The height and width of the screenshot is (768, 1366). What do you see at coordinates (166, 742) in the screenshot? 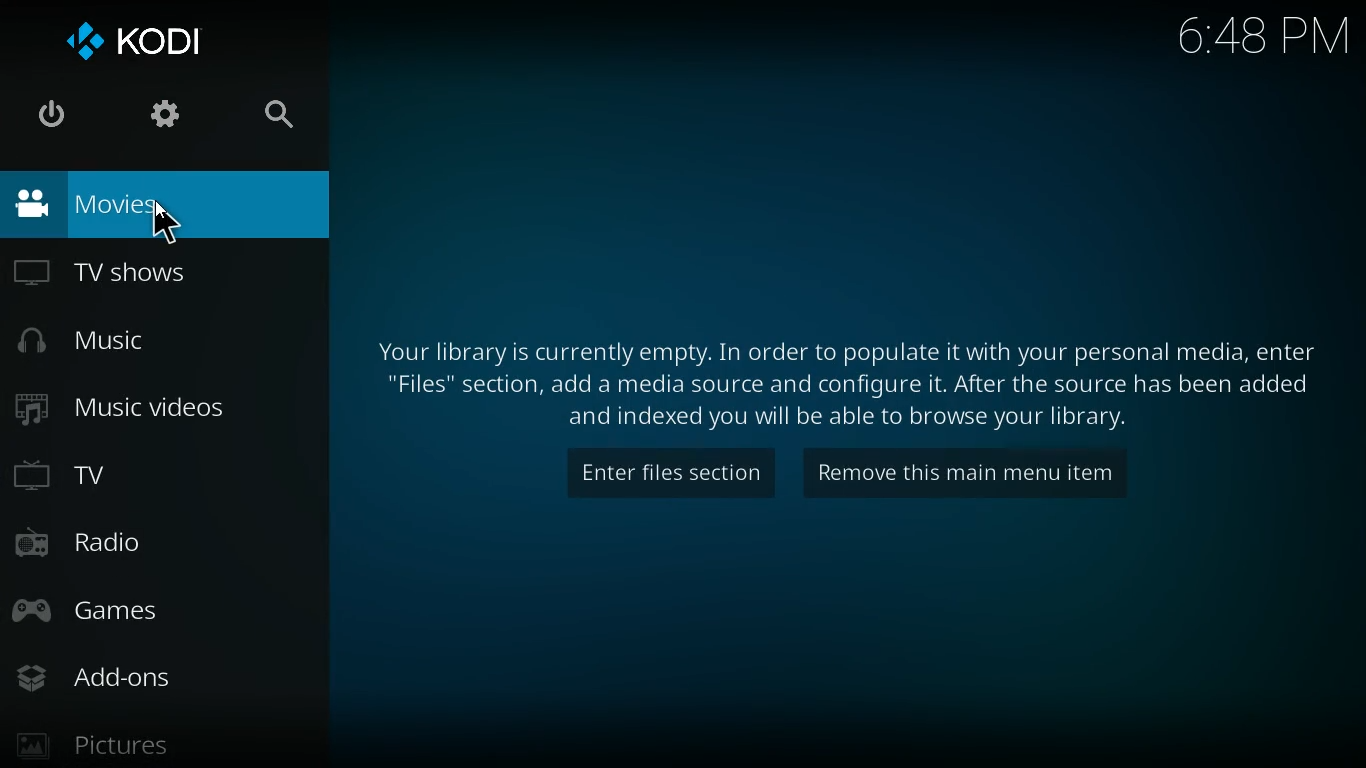
I see `pictures` at bounding box center [166, 742].